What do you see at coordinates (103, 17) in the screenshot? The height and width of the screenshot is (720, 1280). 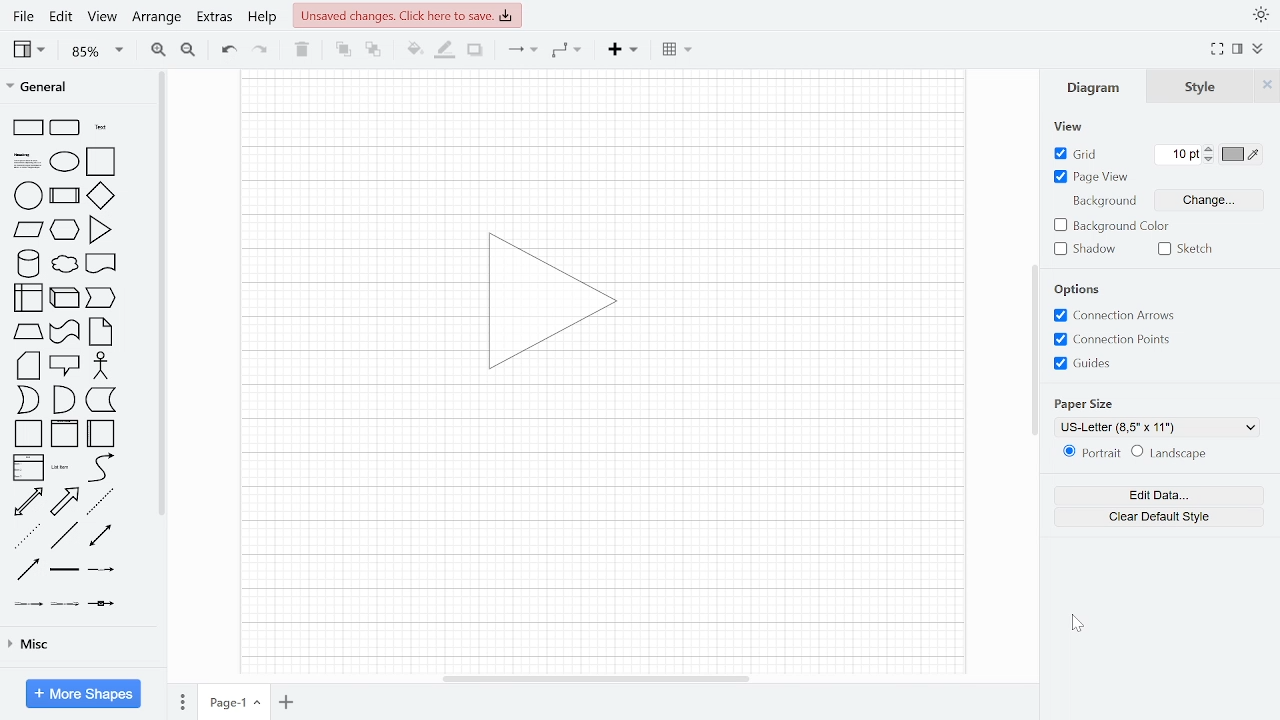 I see `View` at bounding box center [103, 17].